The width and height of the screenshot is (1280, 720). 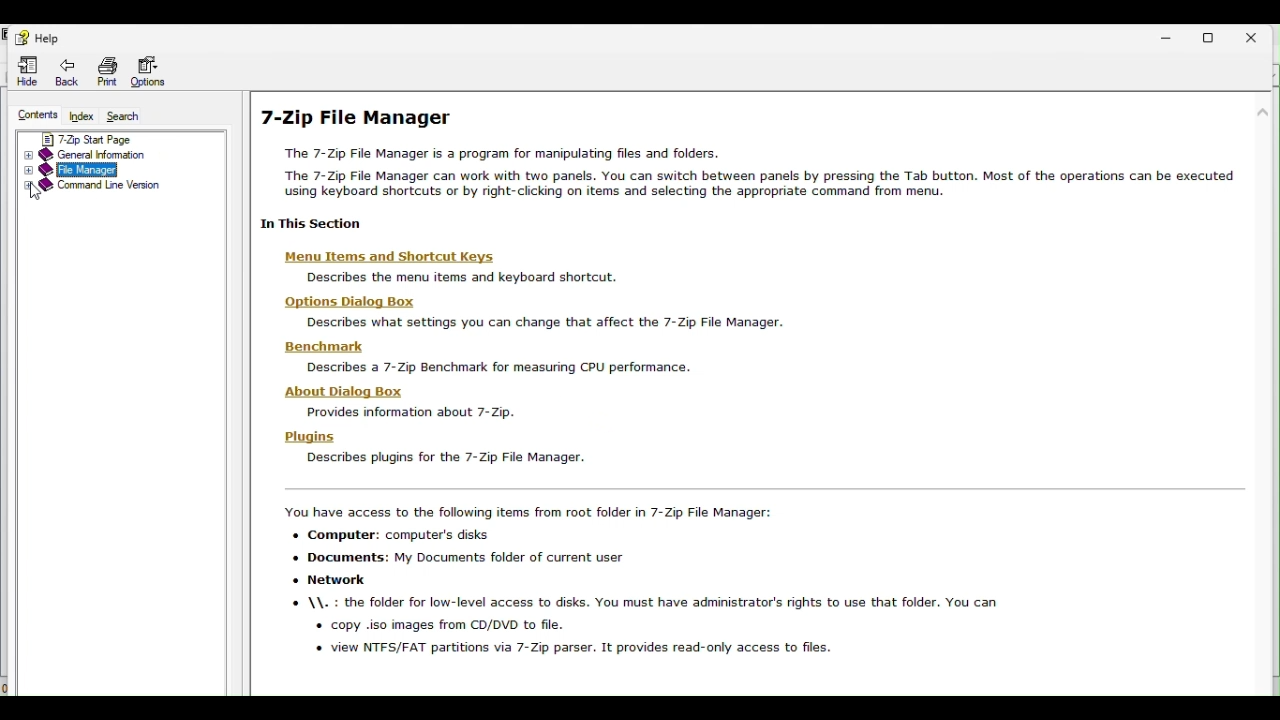 What do you see at coordinates (310, 435) in the screenshot?
I see `Plugins` at bounding box center [310, 435].